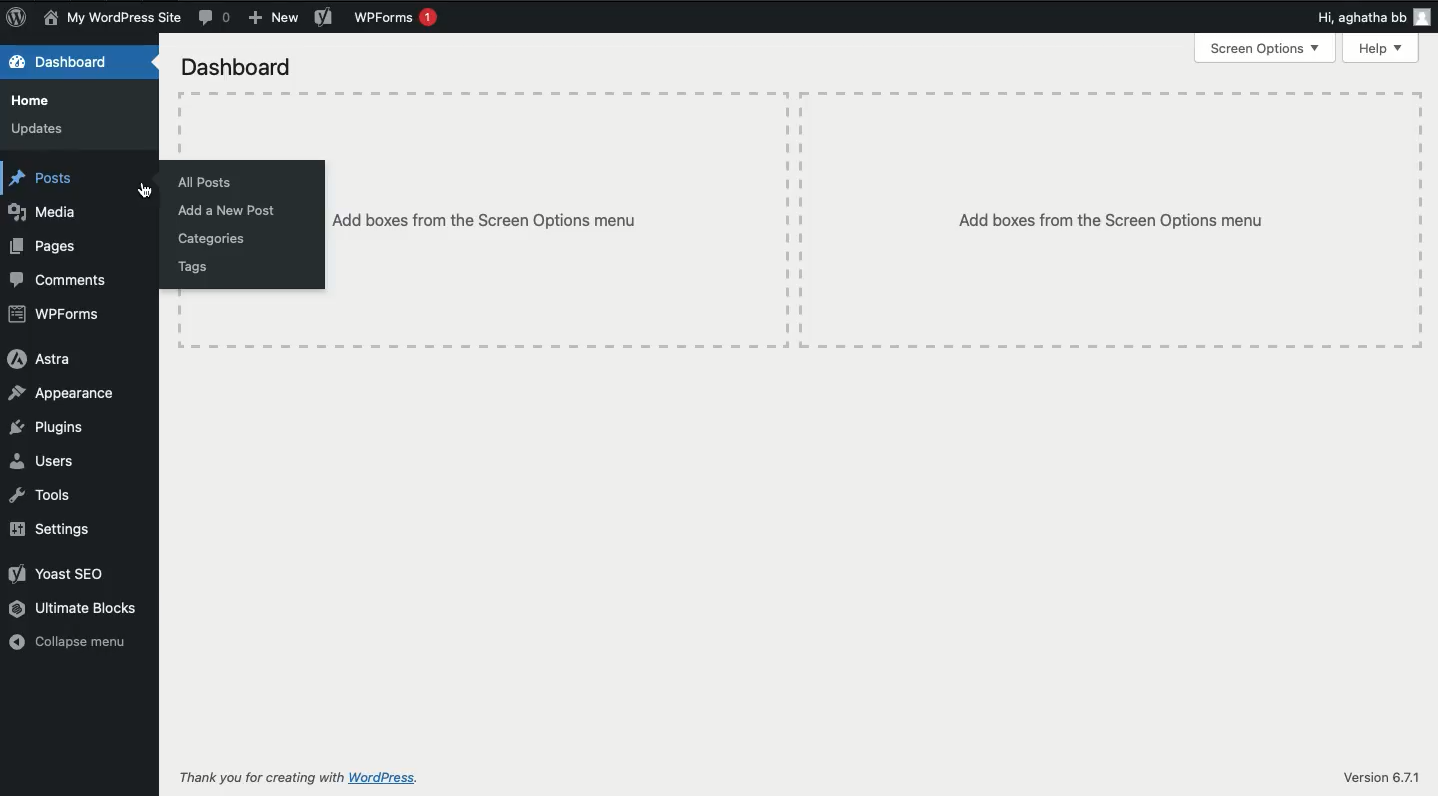 This screenshot has width=1438, height=796. What do you see at coordinates (228, 211) in the screenshot?
I see `Add a new post` at bounding box center [228, 211].